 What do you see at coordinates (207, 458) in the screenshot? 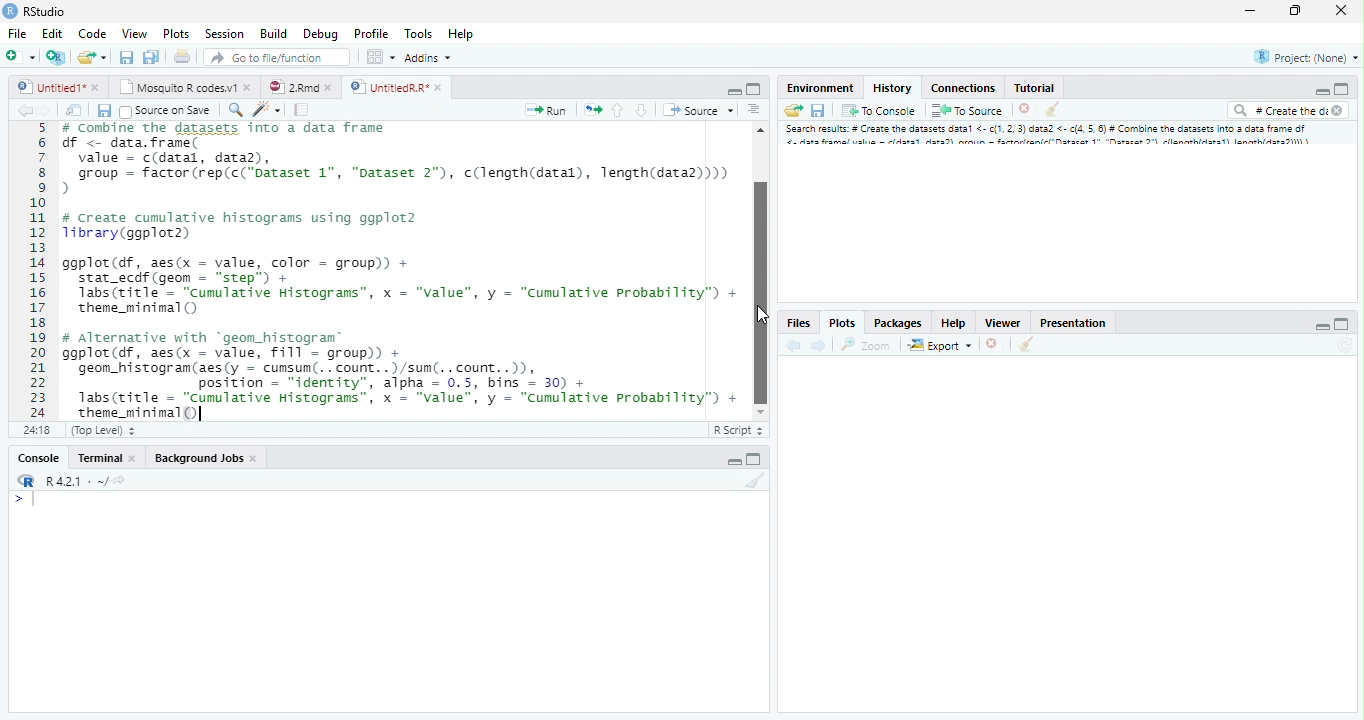
I see `Background Jobs` at bounding box center [207, 458].